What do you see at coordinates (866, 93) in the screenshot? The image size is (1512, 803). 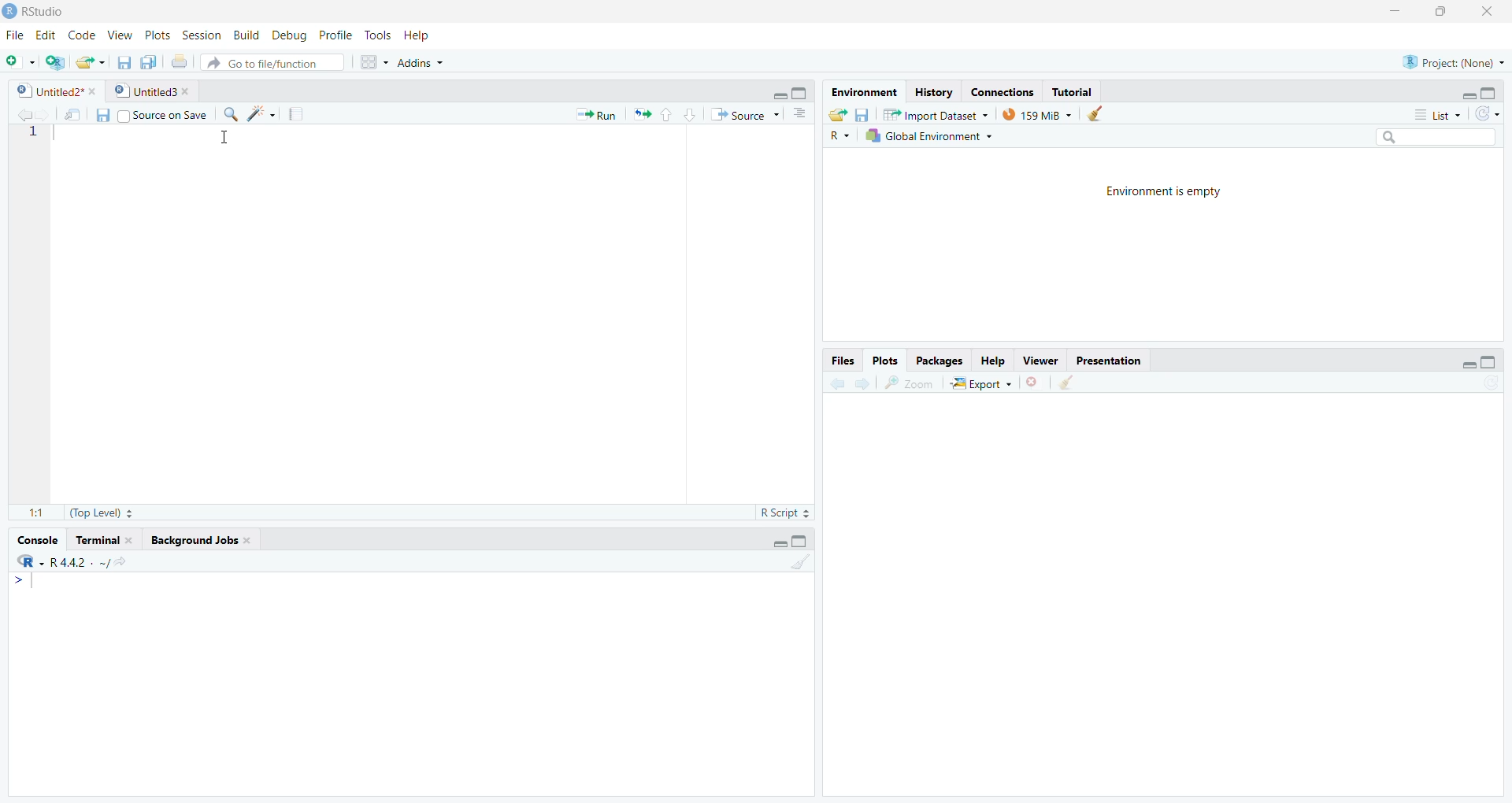 I see `Environment` at bounding box center [866, 93].